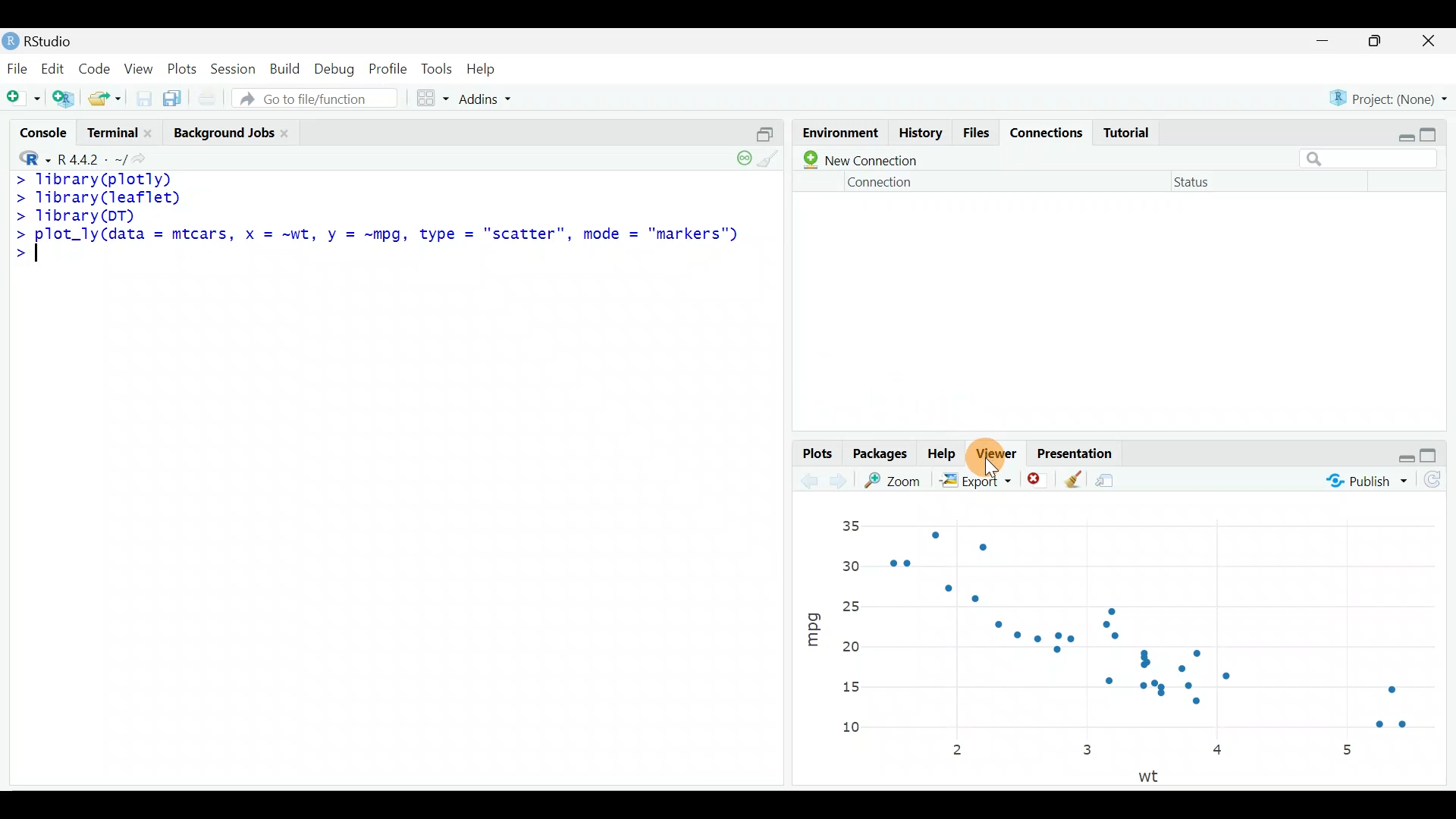 This screenshot has height=819, width=1456. Describe the element at coordinates (861, 159) in the screenshot. I see `New connection` at that location.